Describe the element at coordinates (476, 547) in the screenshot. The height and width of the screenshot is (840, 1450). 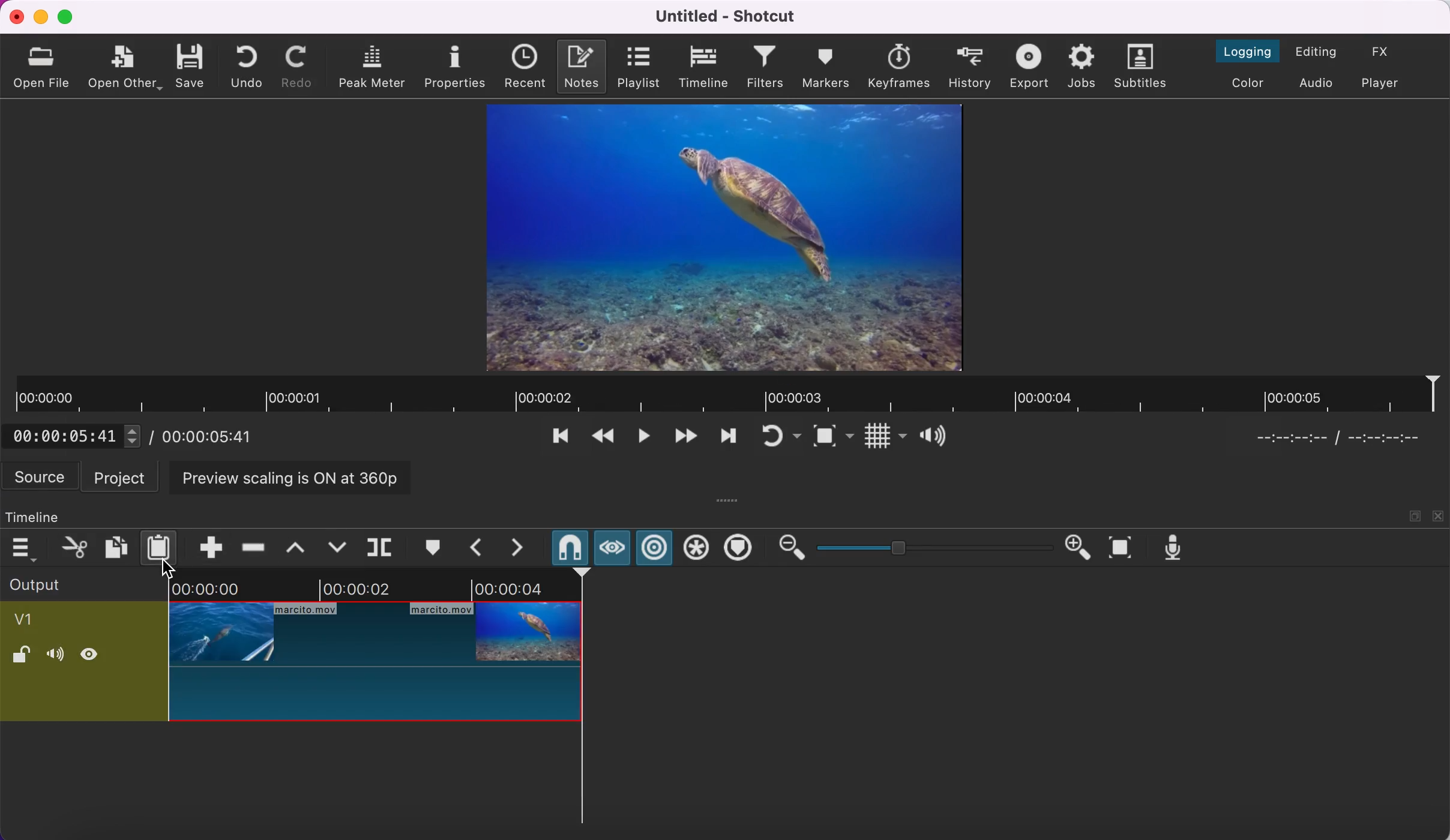
I see `previous marker` at that location.